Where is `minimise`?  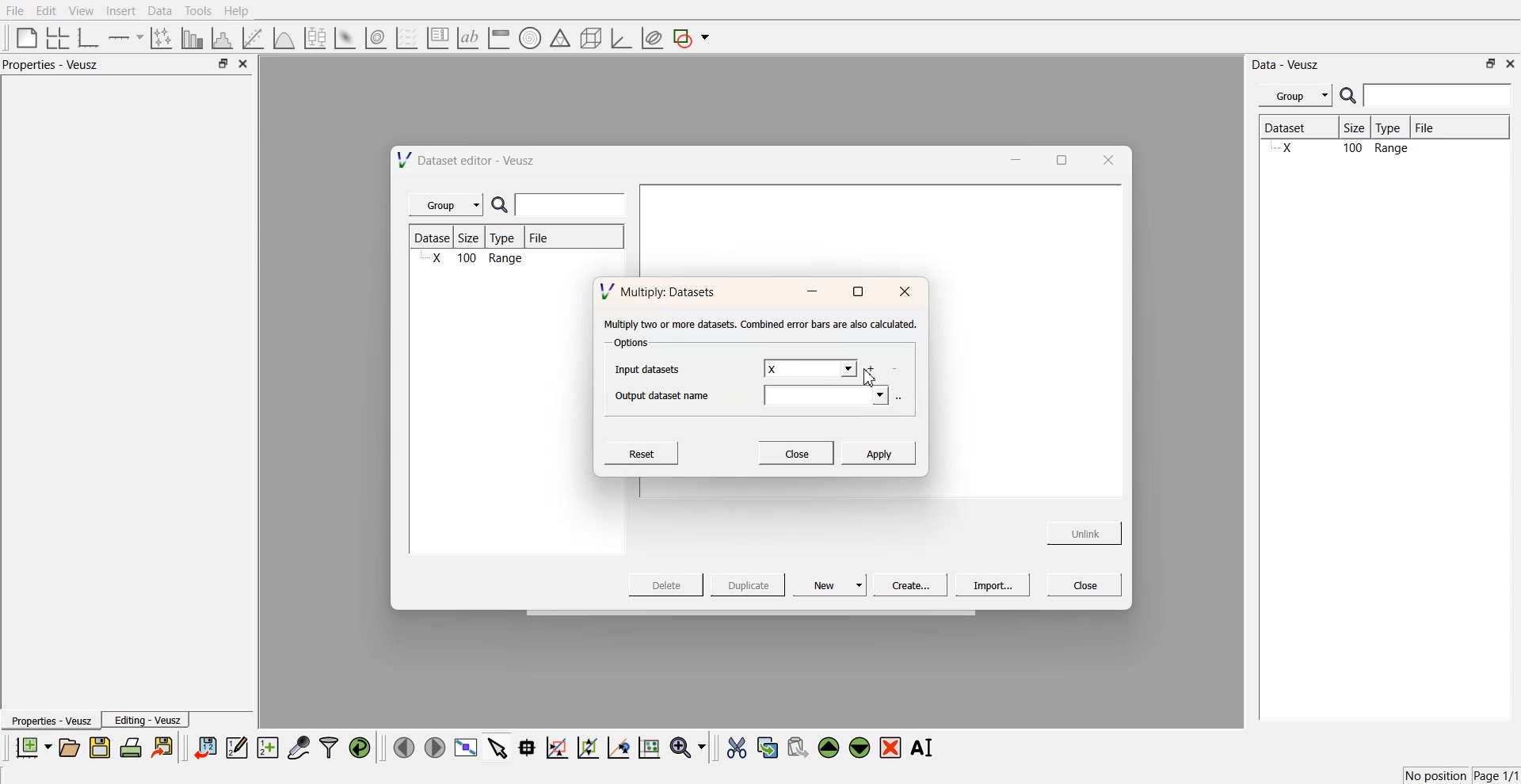 minimise is located at coordinates (1012, 158).